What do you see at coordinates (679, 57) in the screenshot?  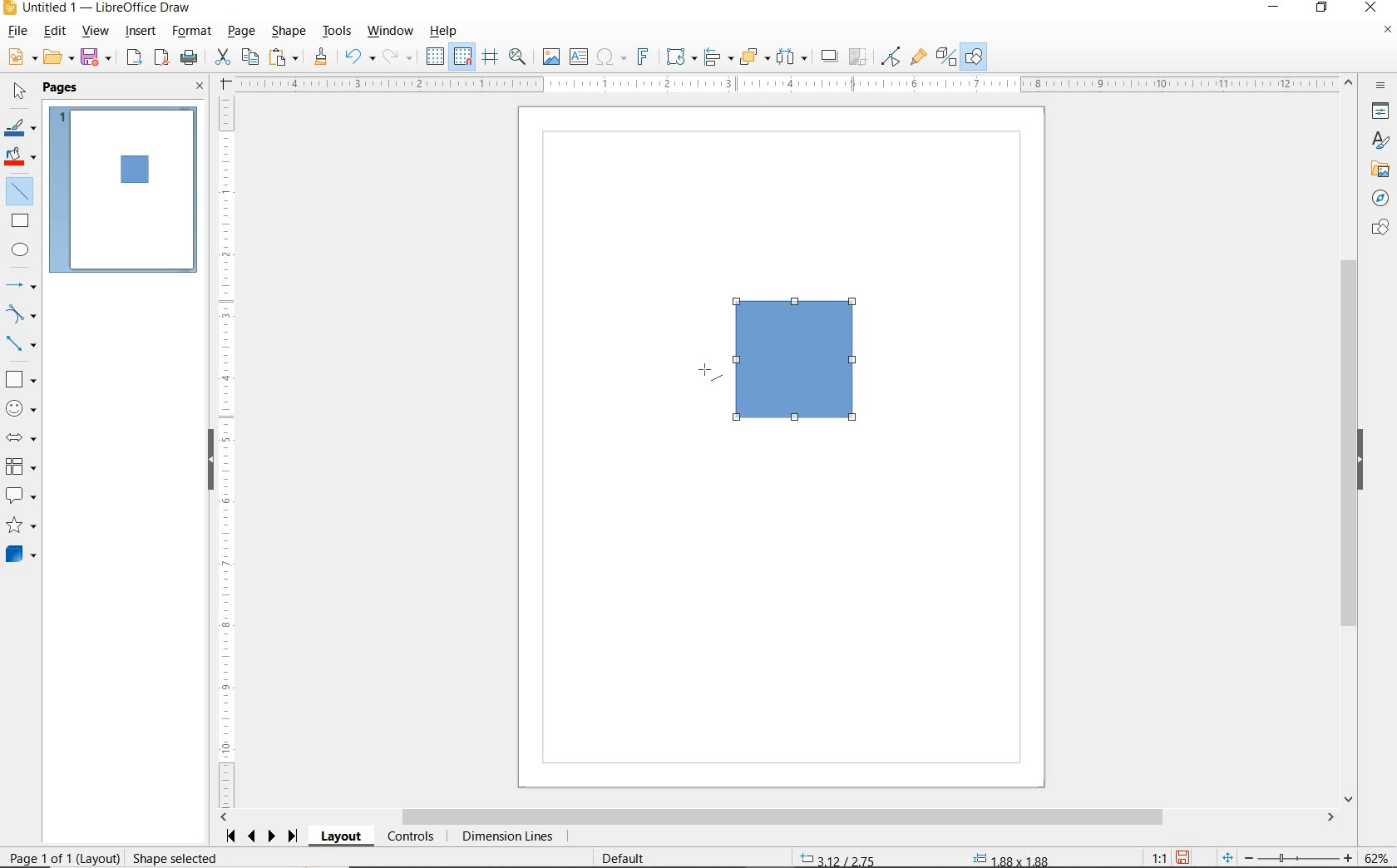 I see `TRANSFORMATIONS` at bounding box center [679, 57].